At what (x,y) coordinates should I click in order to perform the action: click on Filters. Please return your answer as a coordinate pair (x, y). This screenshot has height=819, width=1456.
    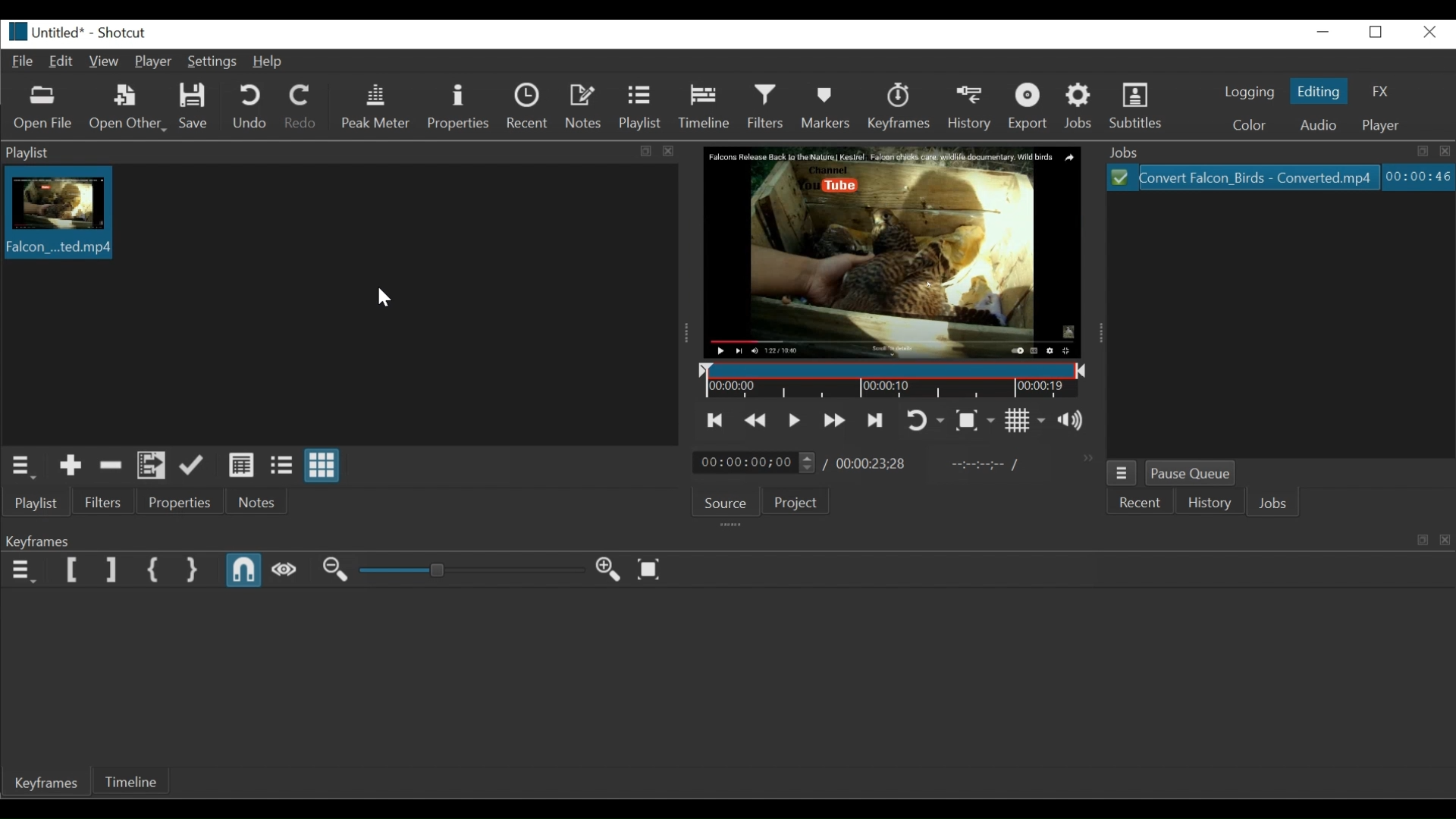
    Looking at the image, I should click on (767, 106).